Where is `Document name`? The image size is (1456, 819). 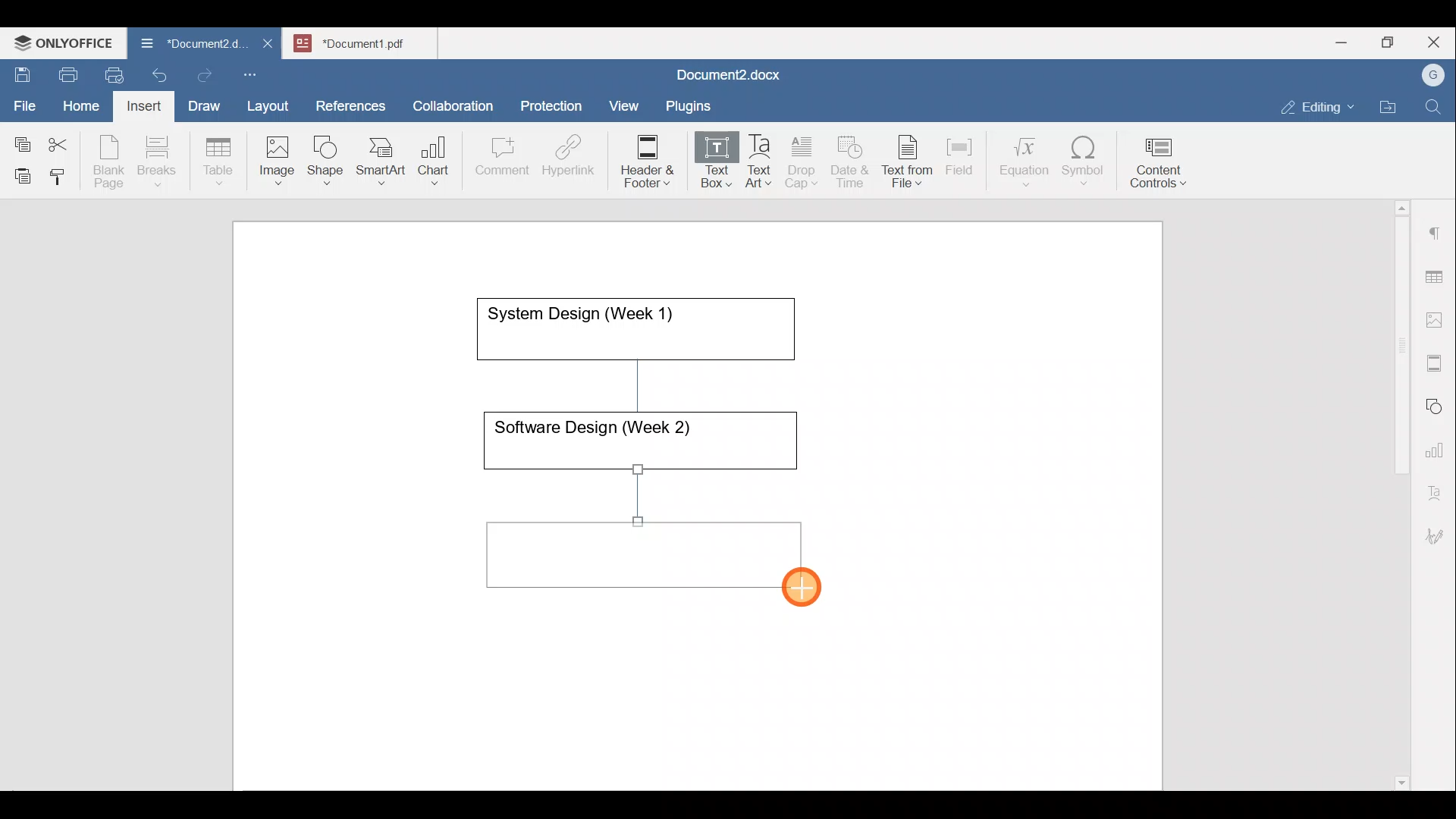 Document name is located at coordinates (185, 45).